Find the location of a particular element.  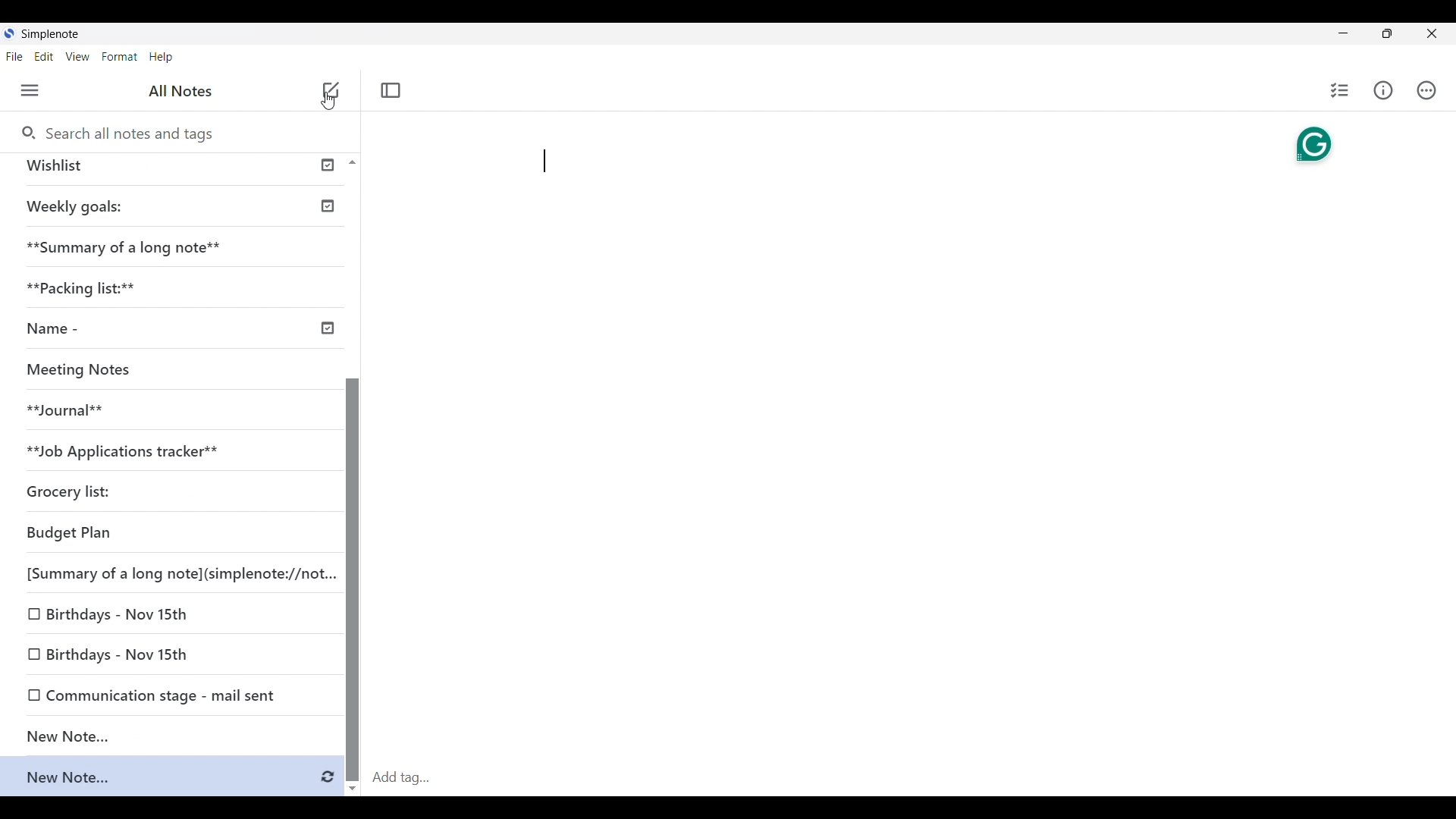

Search notes and tags is located at coordinates (124, 134).